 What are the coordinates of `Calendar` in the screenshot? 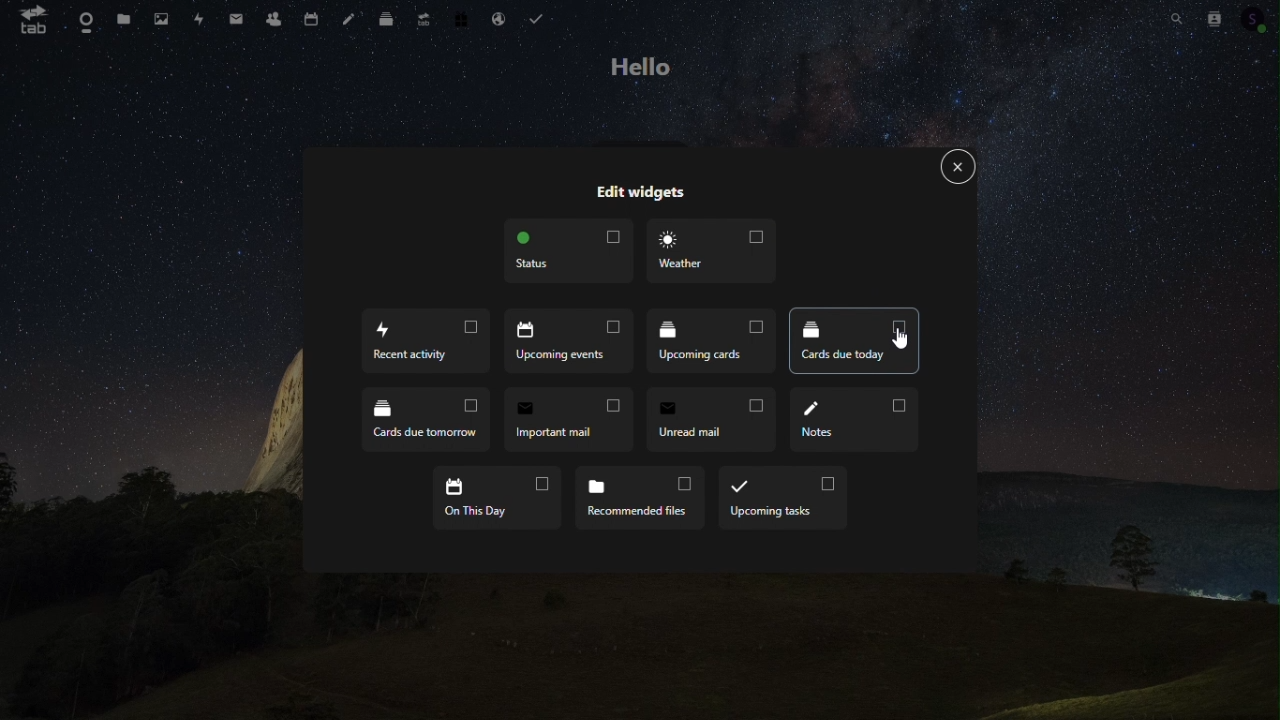 It's located at (315, 19).